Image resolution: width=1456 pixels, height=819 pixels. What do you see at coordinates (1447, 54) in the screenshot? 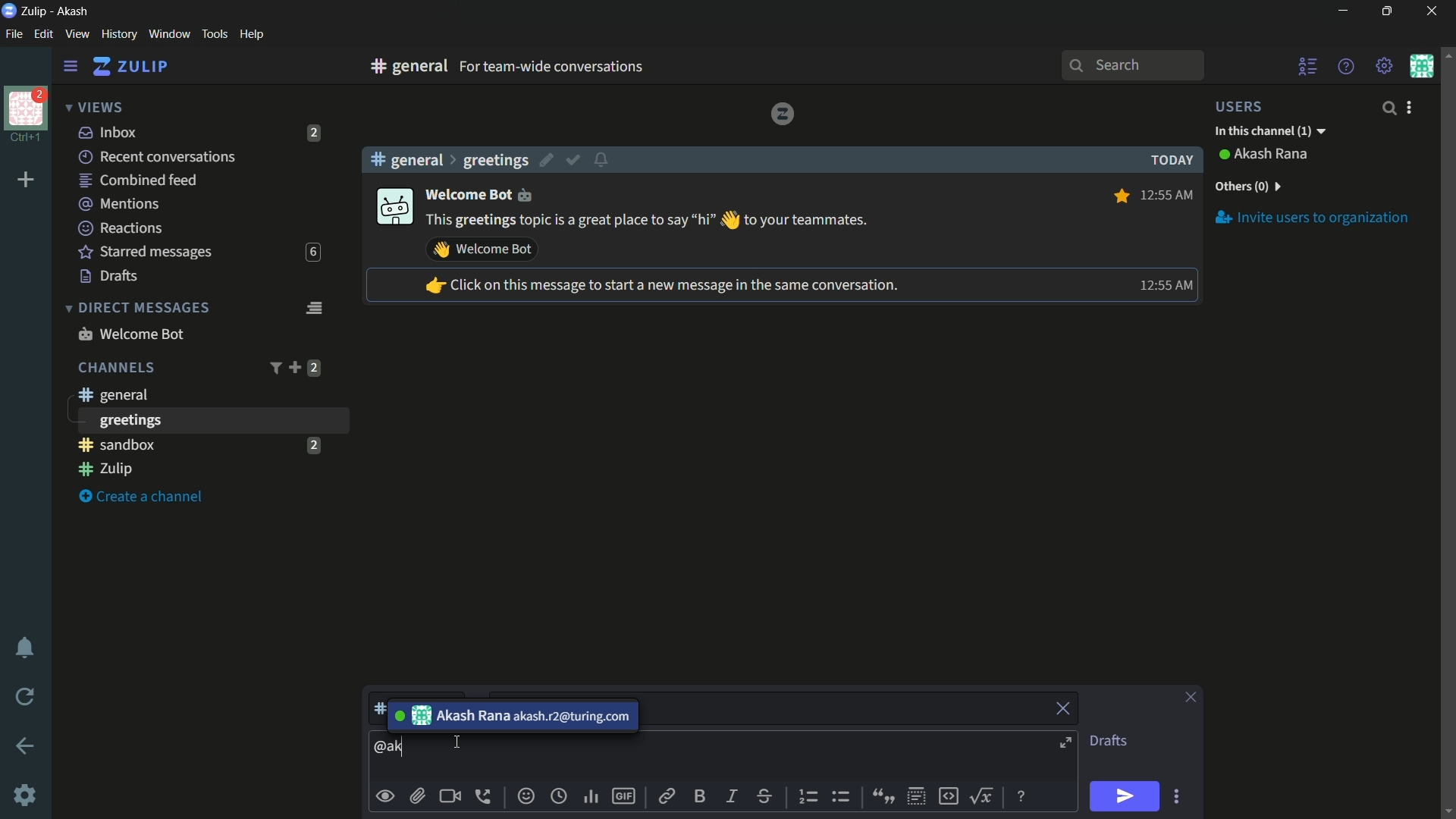
I see `scroll up` at bounding box center [1447, 54].